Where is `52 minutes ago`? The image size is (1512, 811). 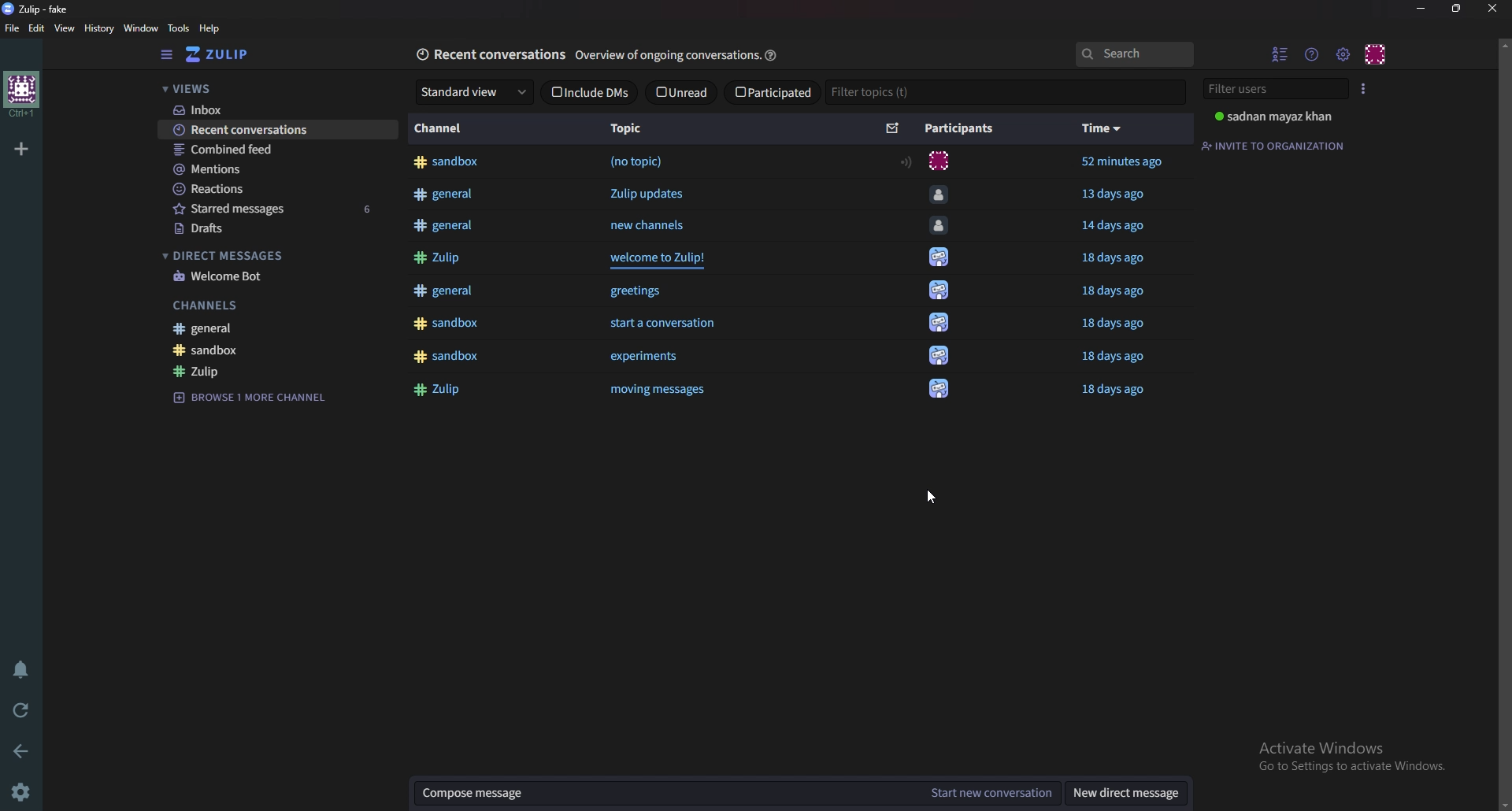 52 minutes ago is located at coordinates (1123, 161).